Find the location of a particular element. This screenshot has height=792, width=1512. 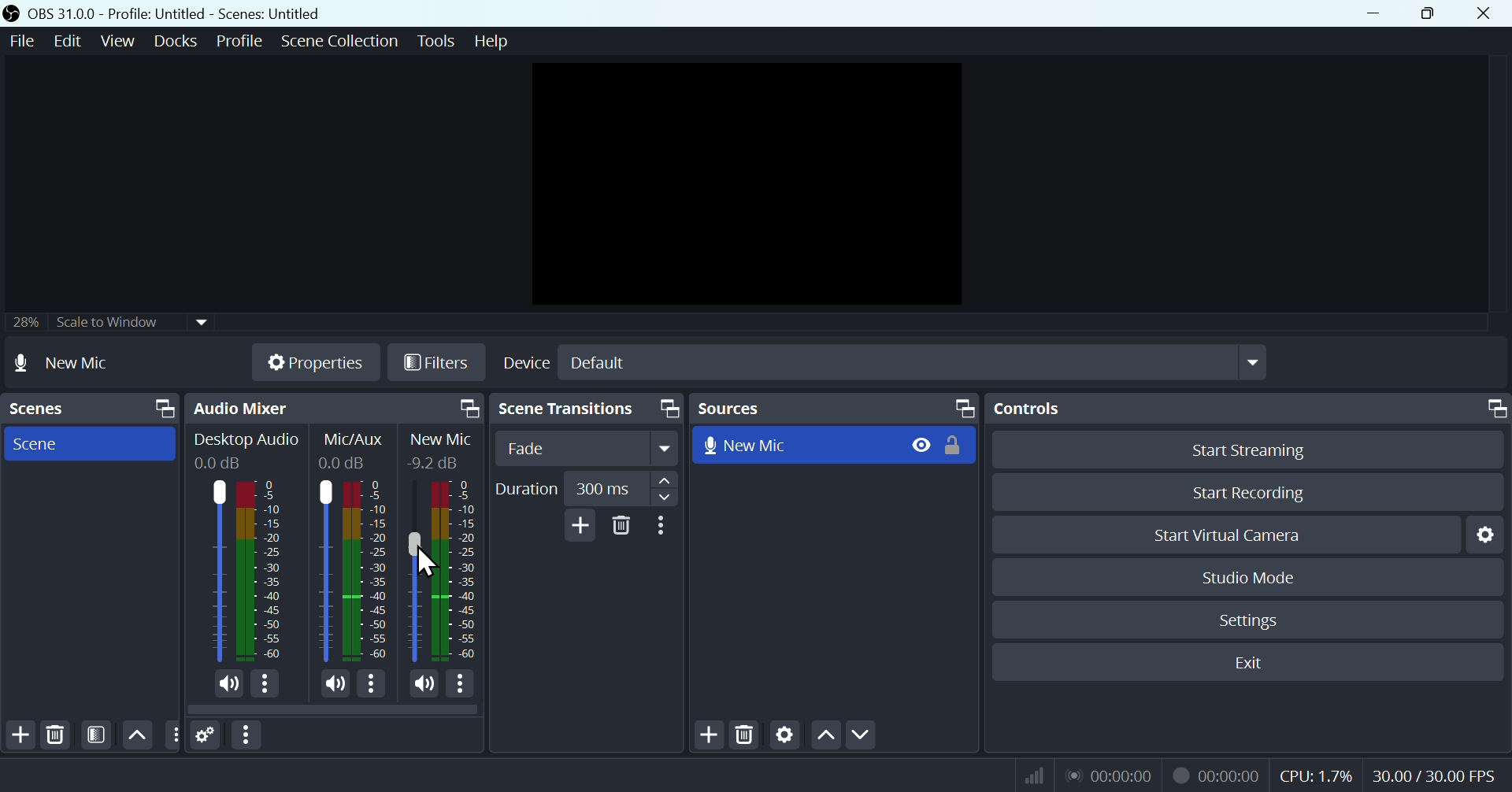

Select Device is located at coordinates (882, 362).